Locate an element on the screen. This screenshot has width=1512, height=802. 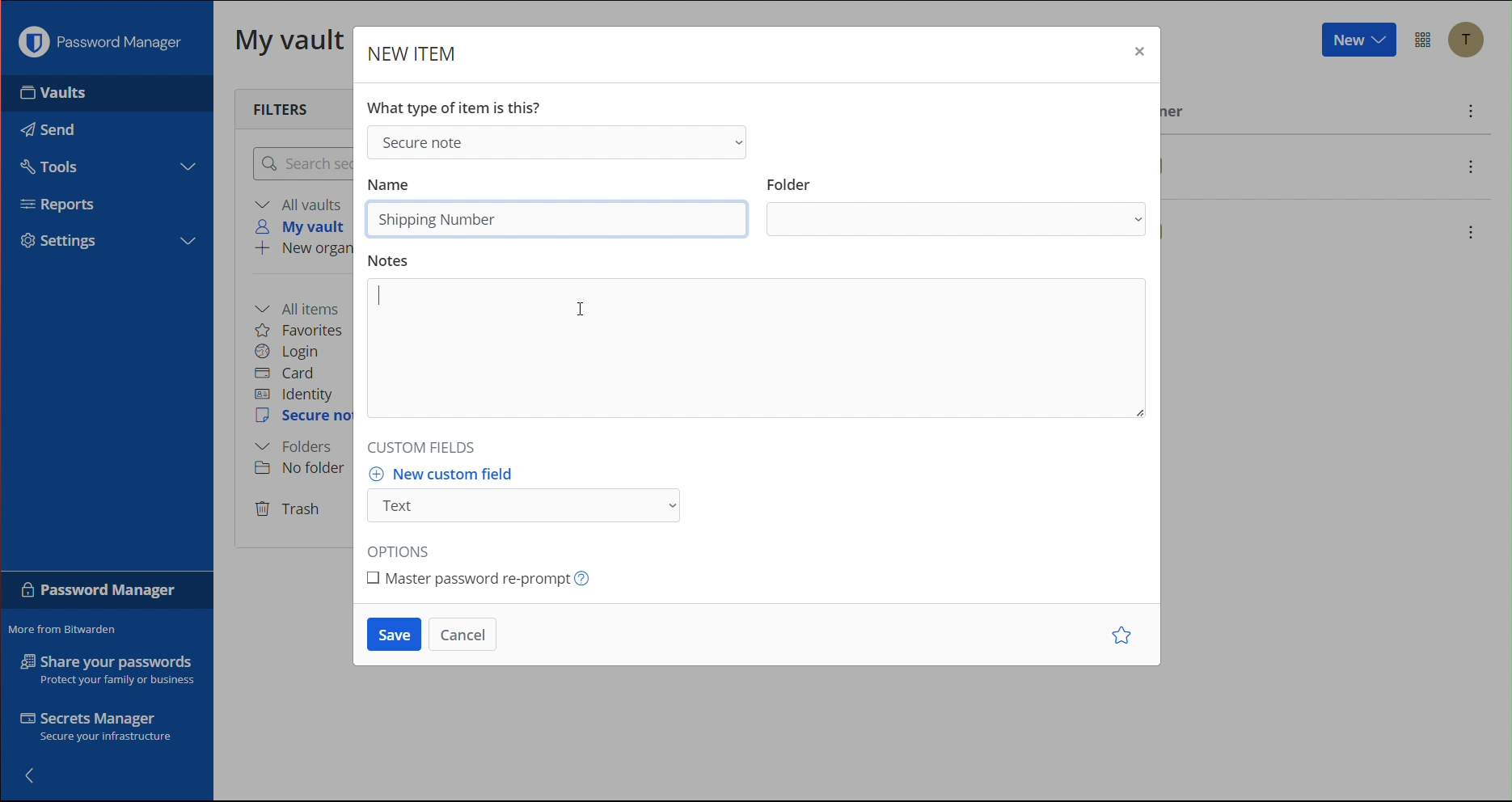
Secrets Manager is located at coordinates (94, 726).